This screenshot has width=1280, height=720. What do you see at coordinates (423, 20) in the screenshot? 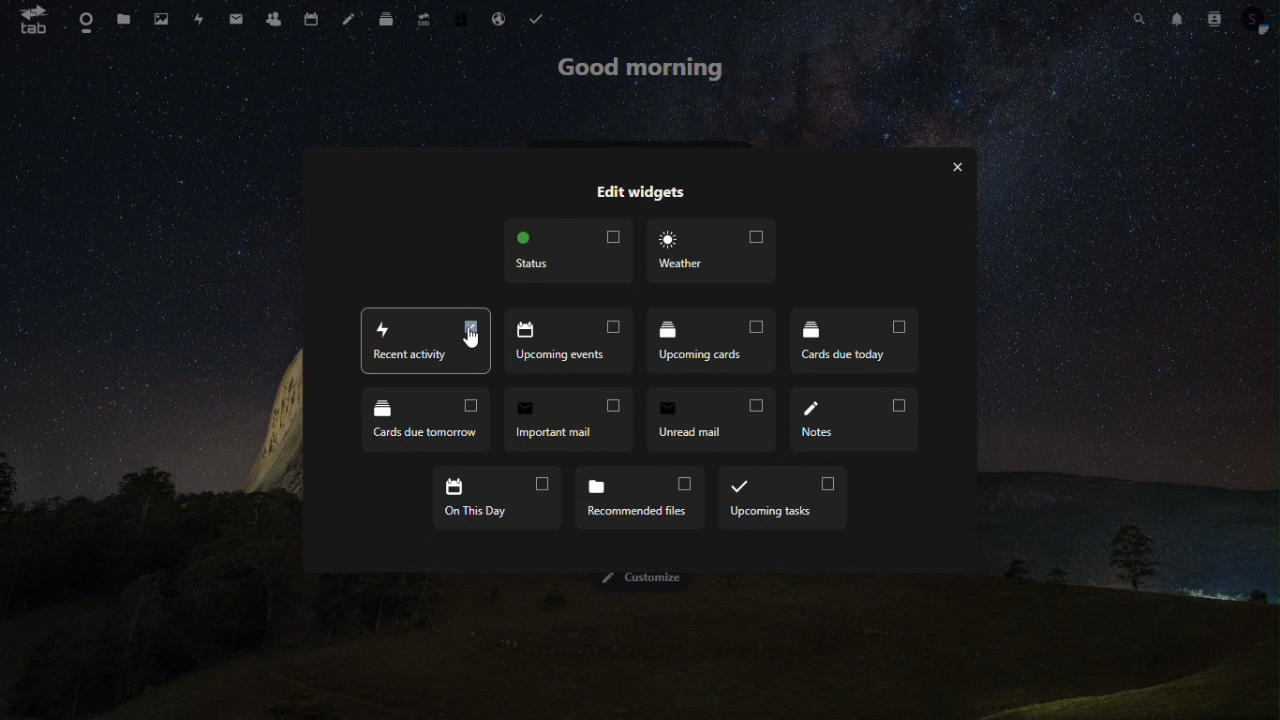
I see `upgrade` at bounding box center [423, 20].